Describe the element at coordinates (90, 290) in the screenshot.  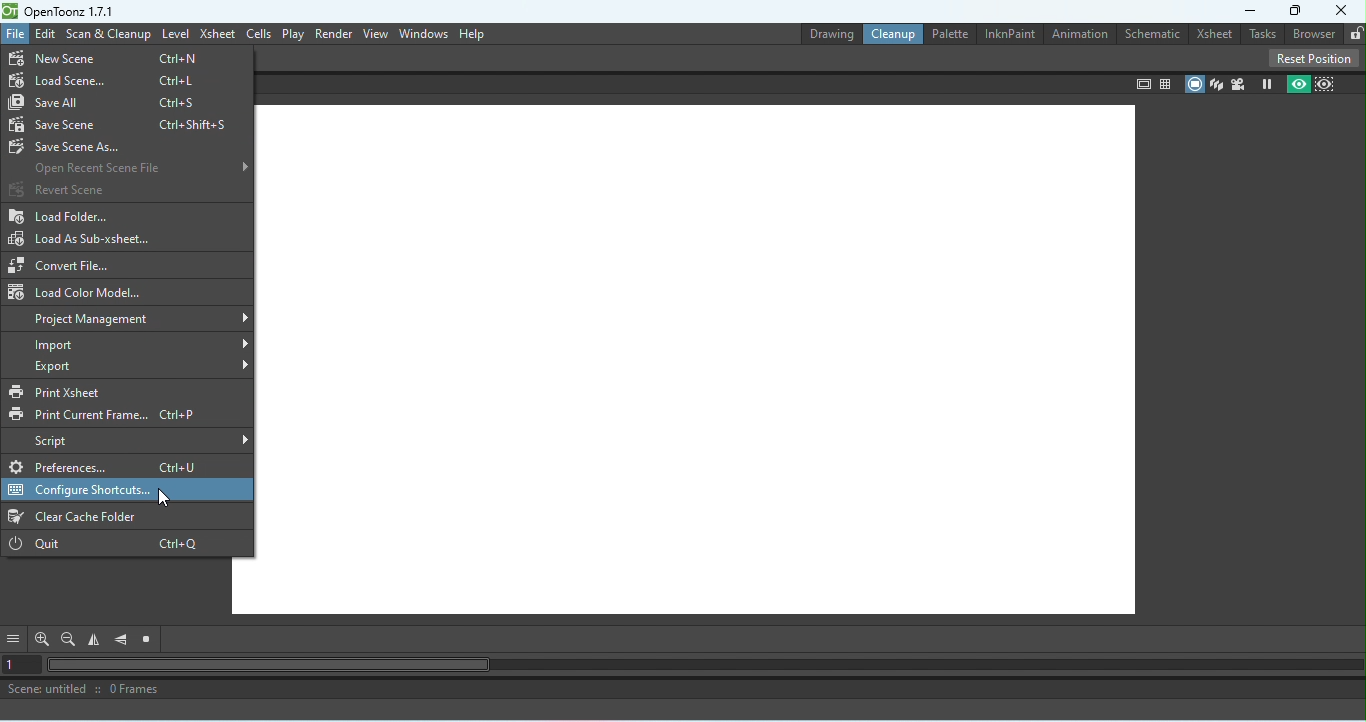
I see `Load color Model` at that location.